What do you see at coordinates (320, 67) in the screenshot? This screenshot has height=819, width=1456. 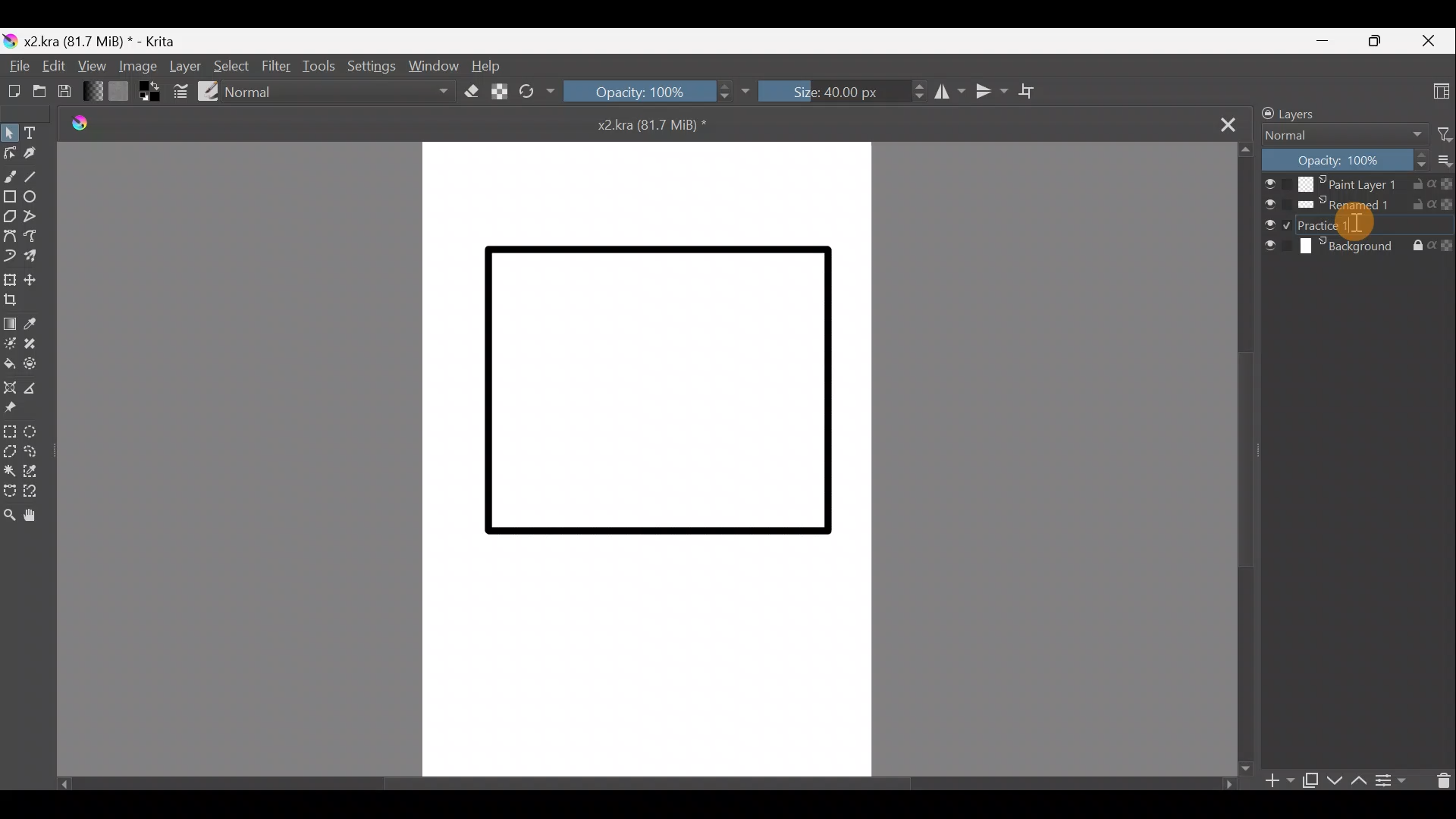 I see `Tools` at bounding box center [320, 67].